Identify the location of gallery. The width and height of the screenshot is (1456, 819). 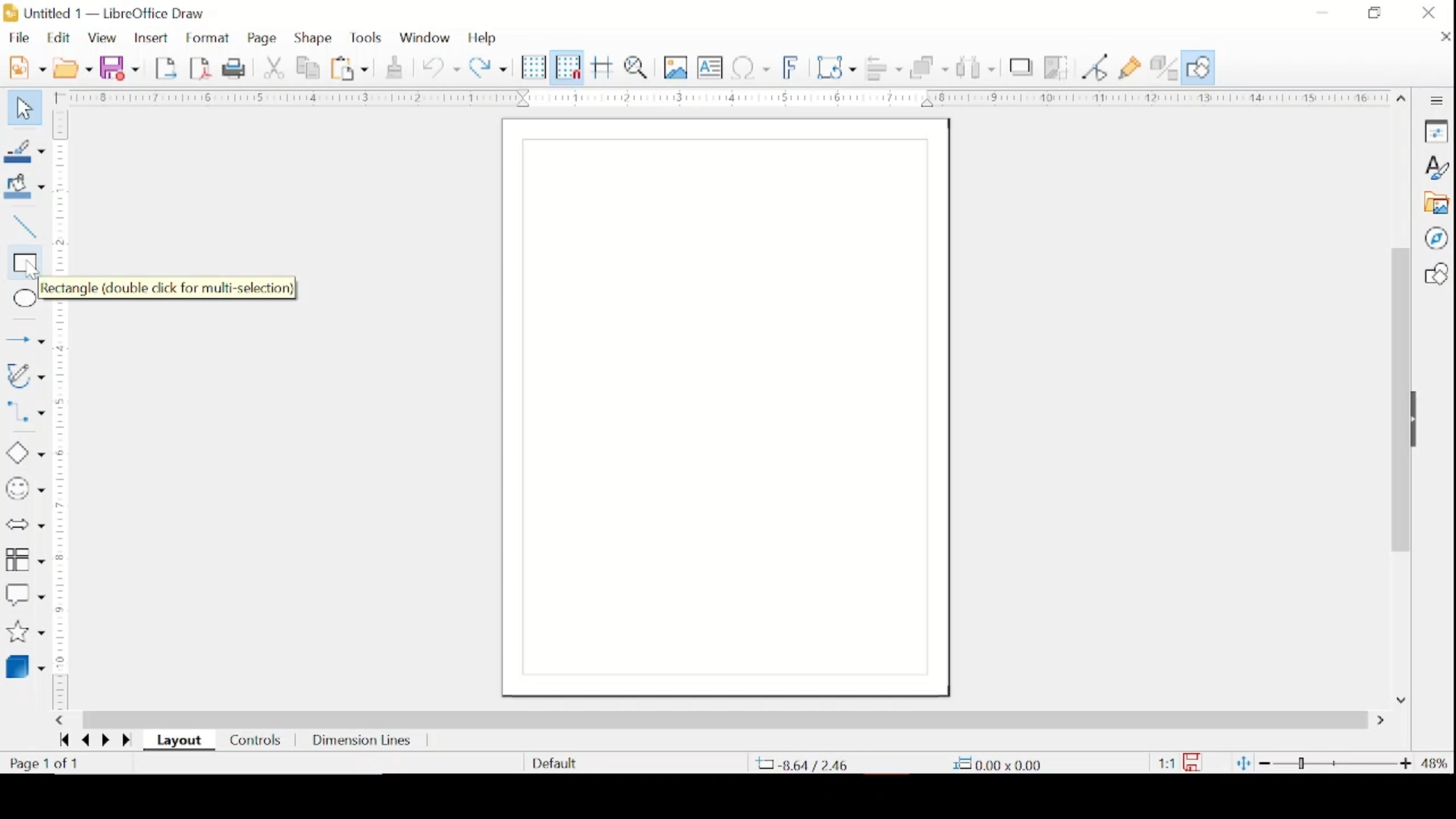
(1436, 203).